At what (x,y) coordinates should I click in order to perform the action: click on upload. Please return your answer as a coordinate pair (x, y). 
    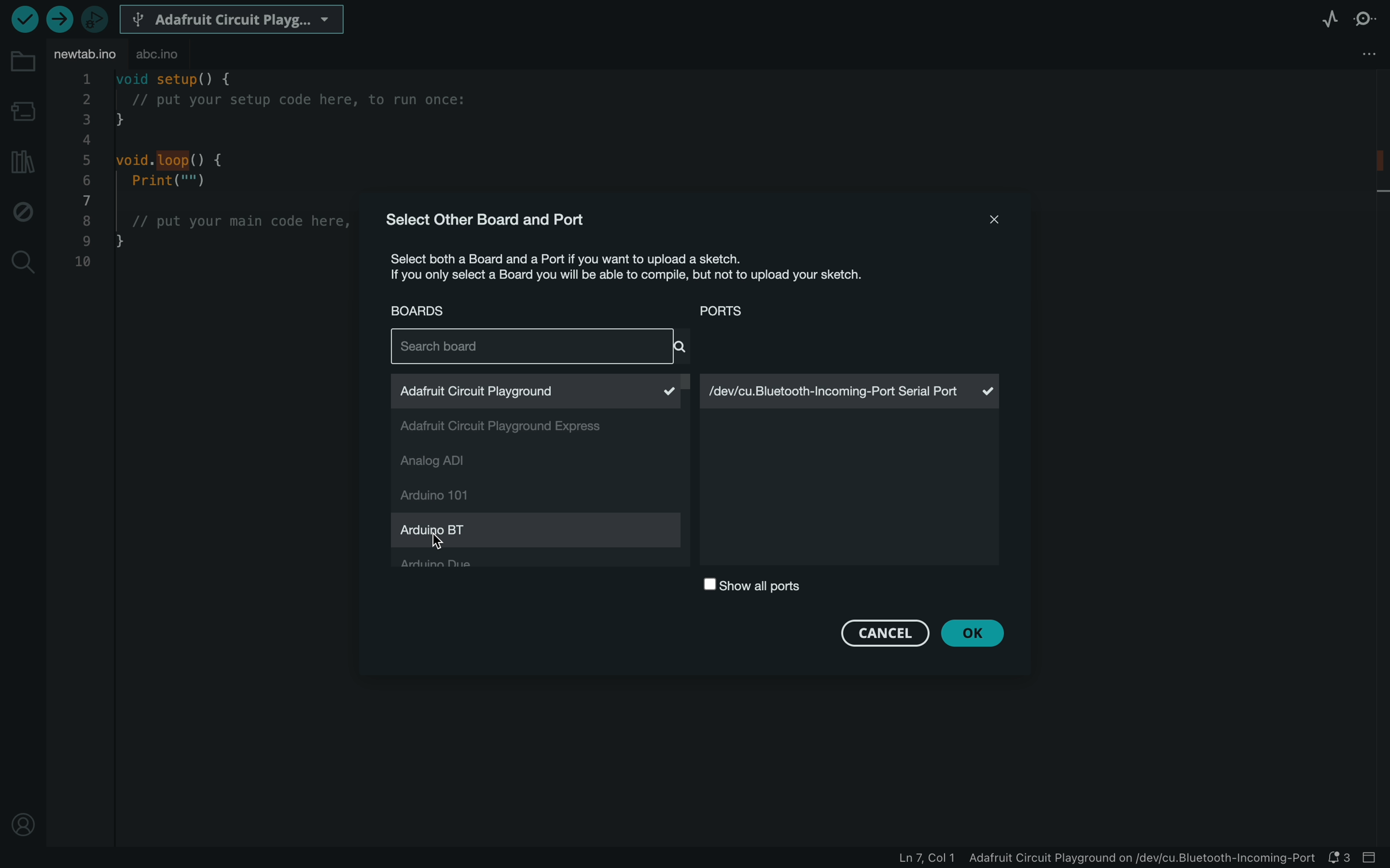
    Looking at the image, I should click on (56, 21).